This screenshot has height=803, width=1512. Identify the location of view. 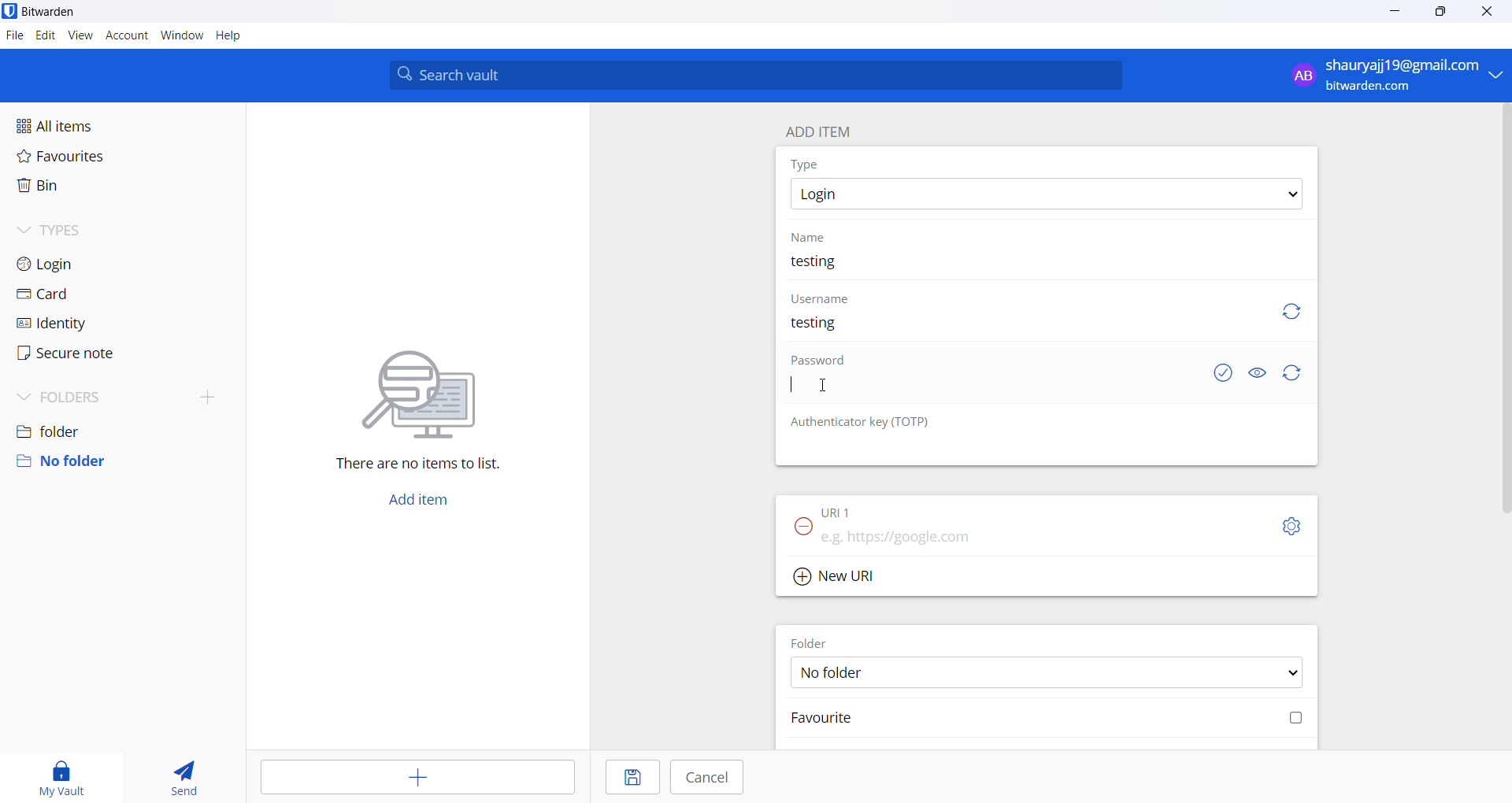
(78, 36).